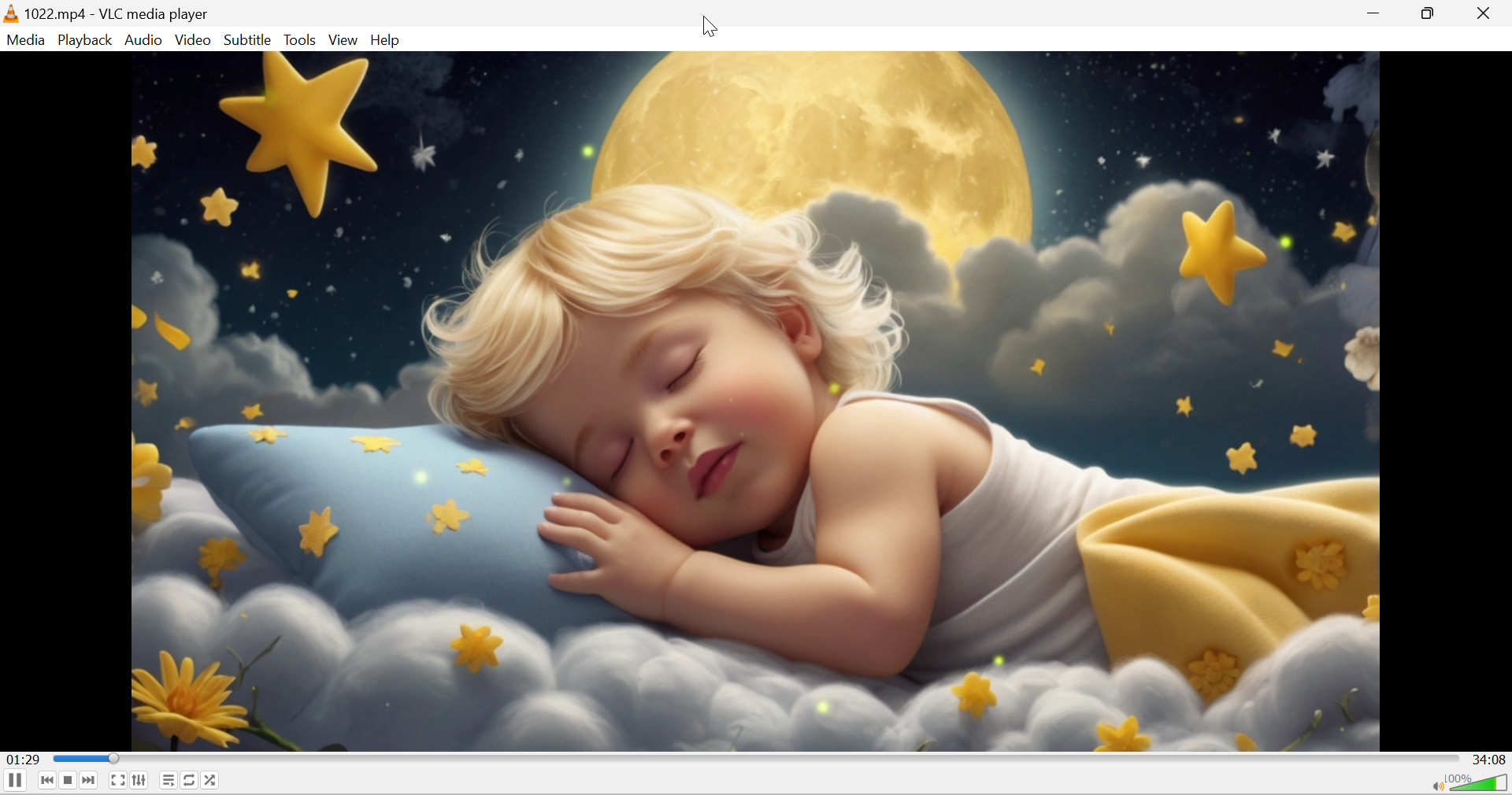  Describe the element at coordinates (343, 41) in the screenshot. I see `View` at that location.